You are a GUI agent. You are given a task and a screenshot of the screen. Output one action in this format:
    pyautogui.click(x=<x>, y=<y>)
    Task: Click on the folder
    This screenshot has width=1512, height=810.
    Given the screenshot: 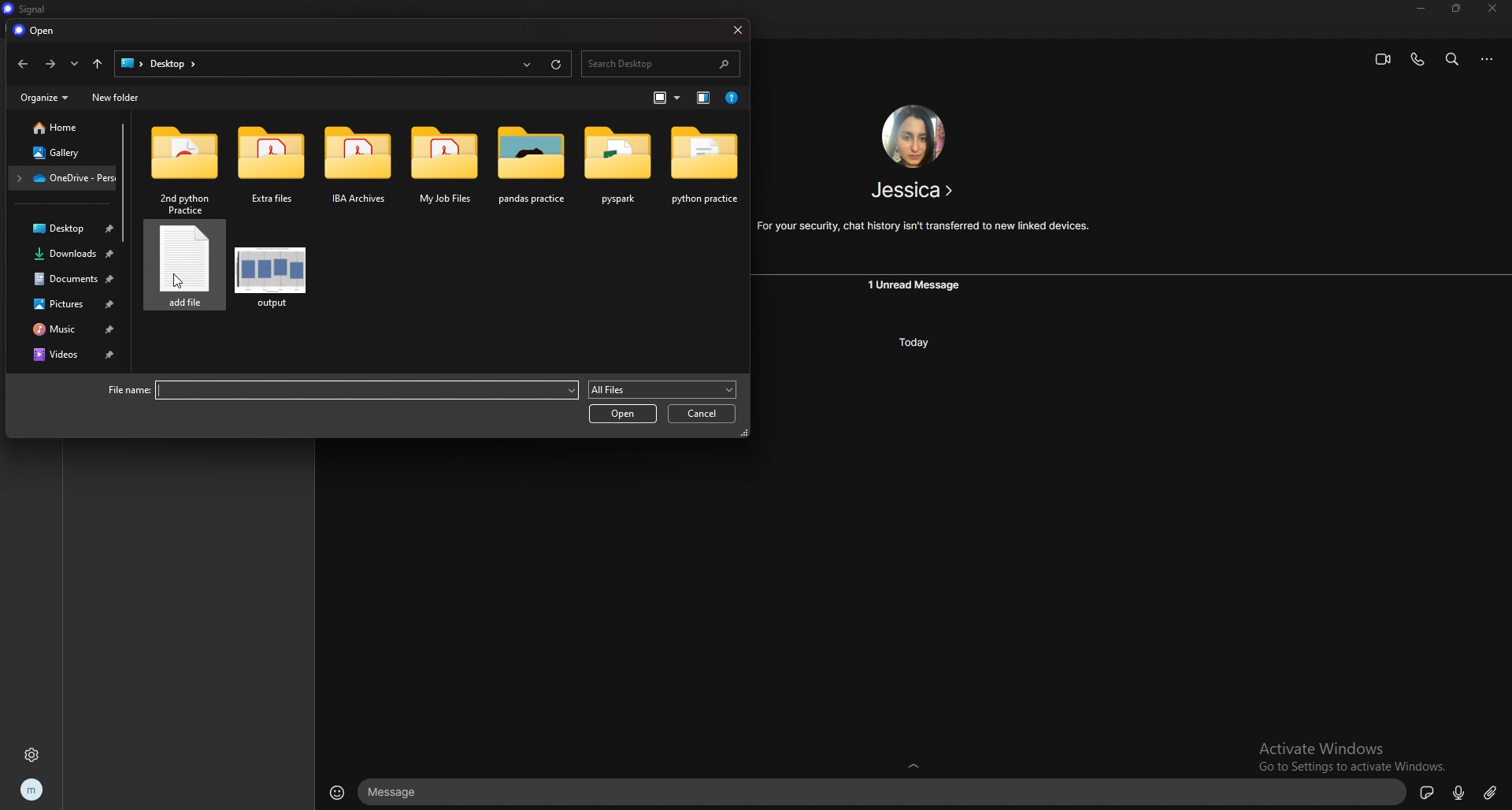 What is the action you would take?
    pyautogui.click(x=186, y=168)
    